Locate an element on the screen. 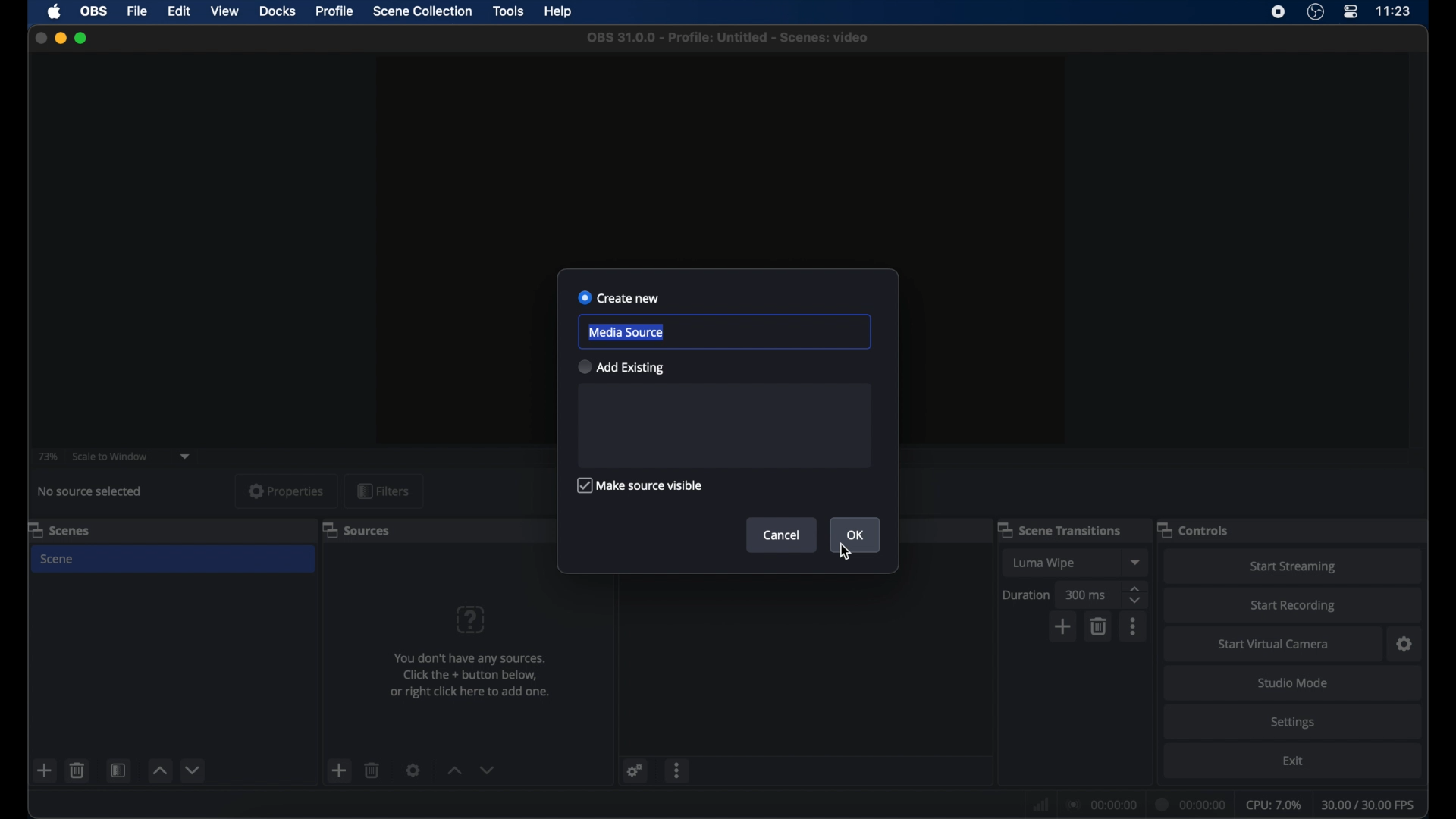 The width and height of the screenshot is (1456, 819). controls is located at coordinates (1193, 529).